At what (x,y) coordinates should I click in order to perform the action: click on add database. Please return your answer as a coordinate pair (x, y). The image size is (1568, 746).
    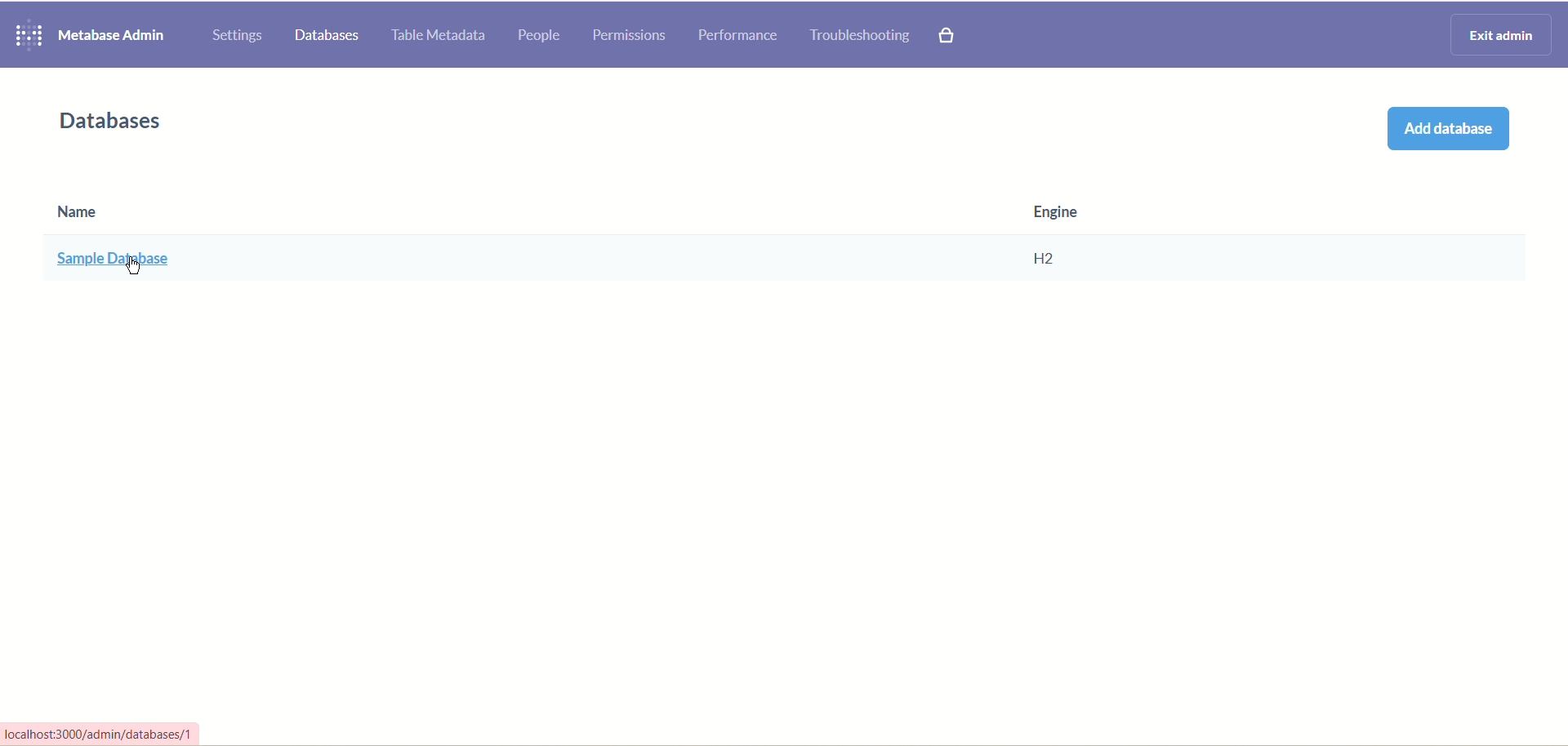
    Looking at the image, I should click on (1445, 131).